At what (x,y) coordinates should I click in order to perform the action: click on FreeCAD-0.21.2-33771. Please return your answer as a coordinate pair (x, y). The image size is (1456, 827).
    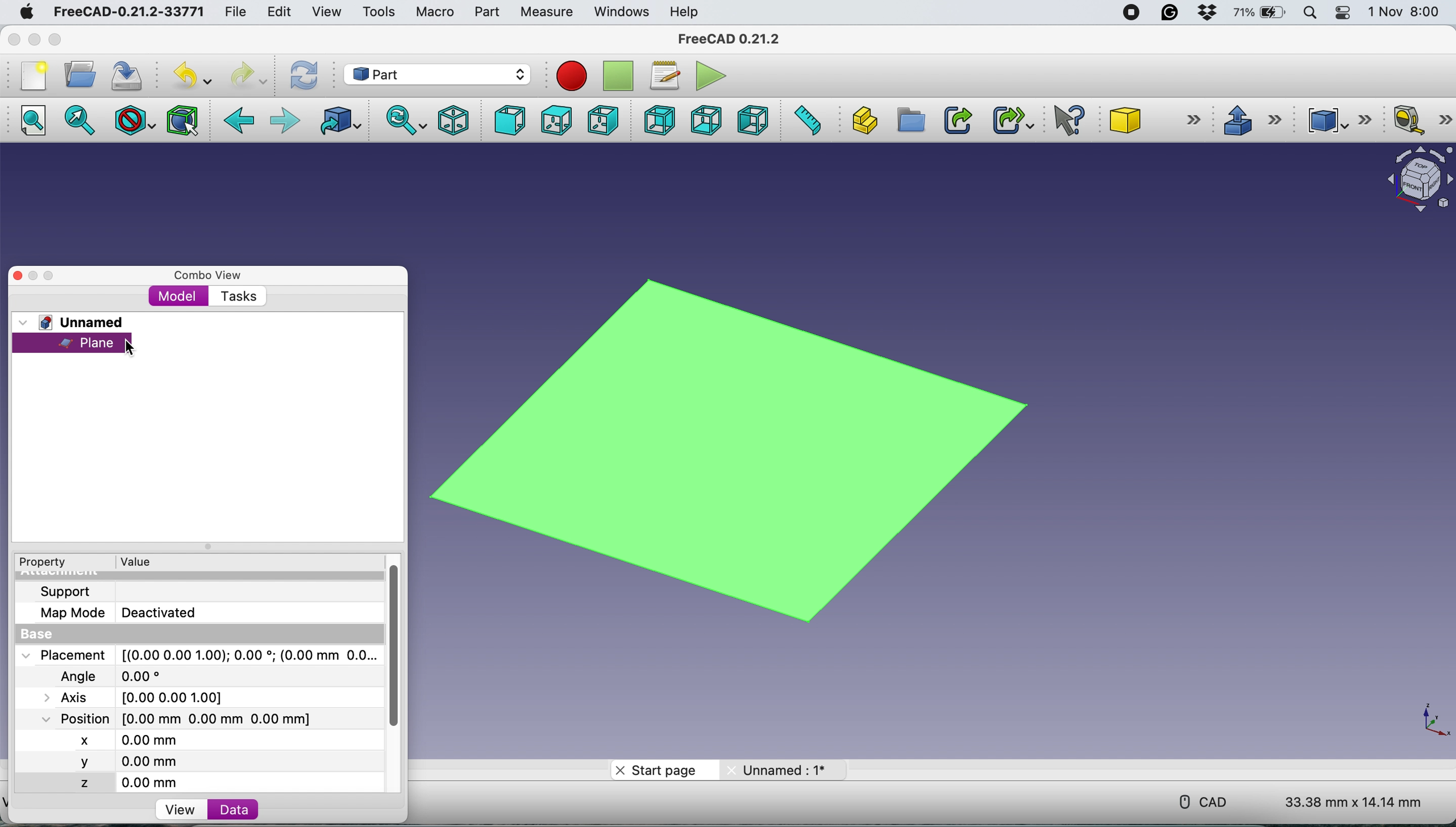
    Looking at the image, I should click on (126, 12).